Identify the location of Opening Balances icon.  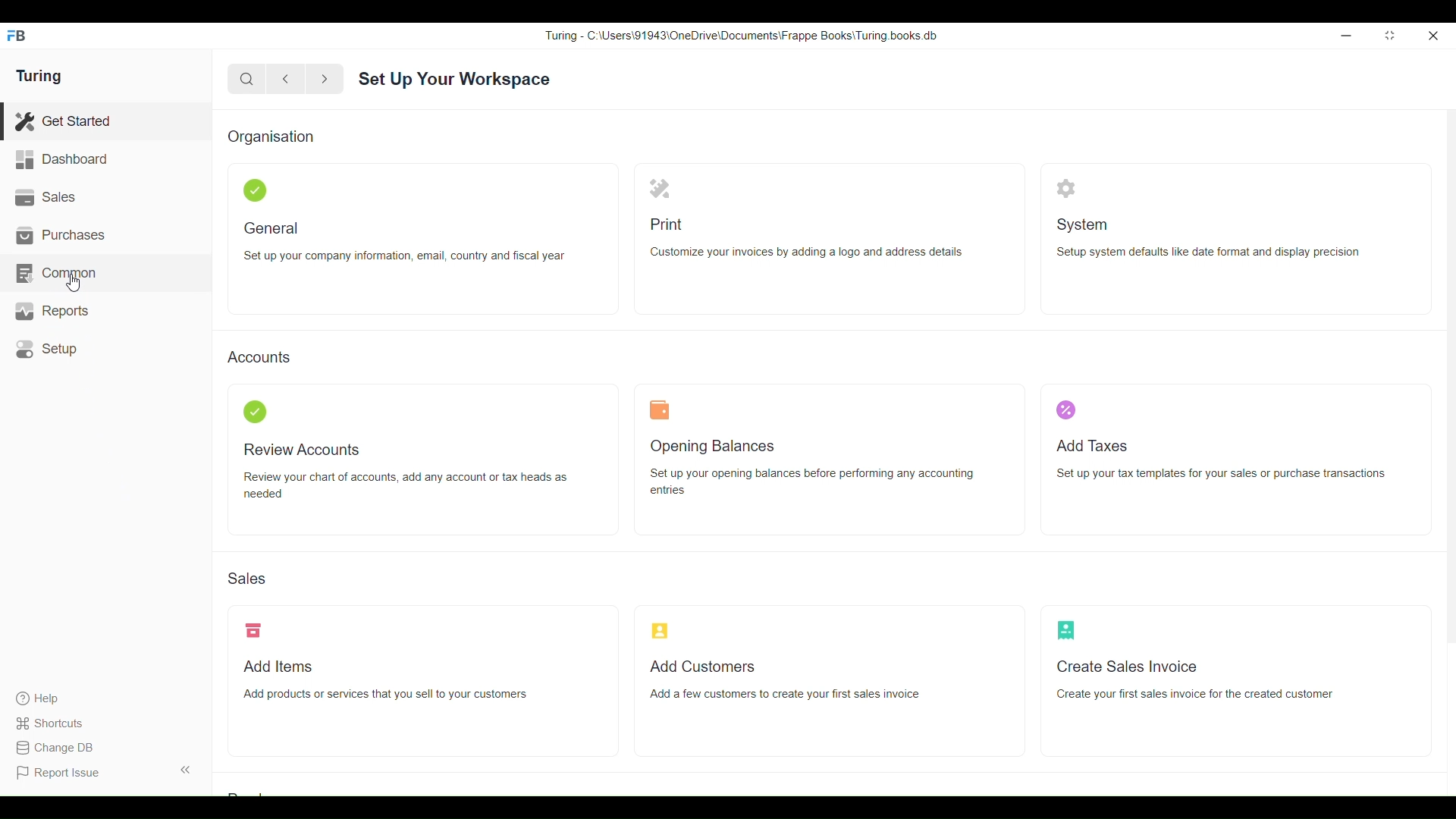
(660, 409).